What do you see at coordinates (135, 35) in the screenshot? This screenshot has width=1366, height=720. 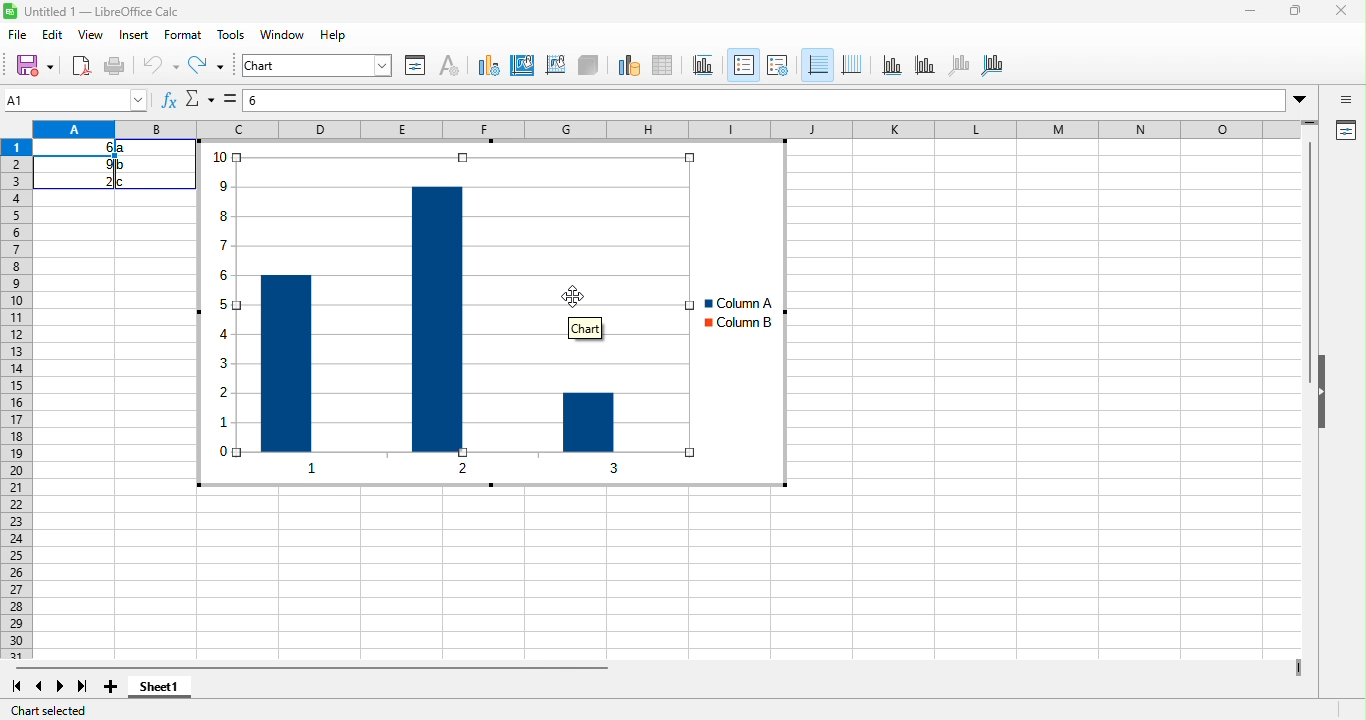 I see `insert` at bounding box center [135, 35].